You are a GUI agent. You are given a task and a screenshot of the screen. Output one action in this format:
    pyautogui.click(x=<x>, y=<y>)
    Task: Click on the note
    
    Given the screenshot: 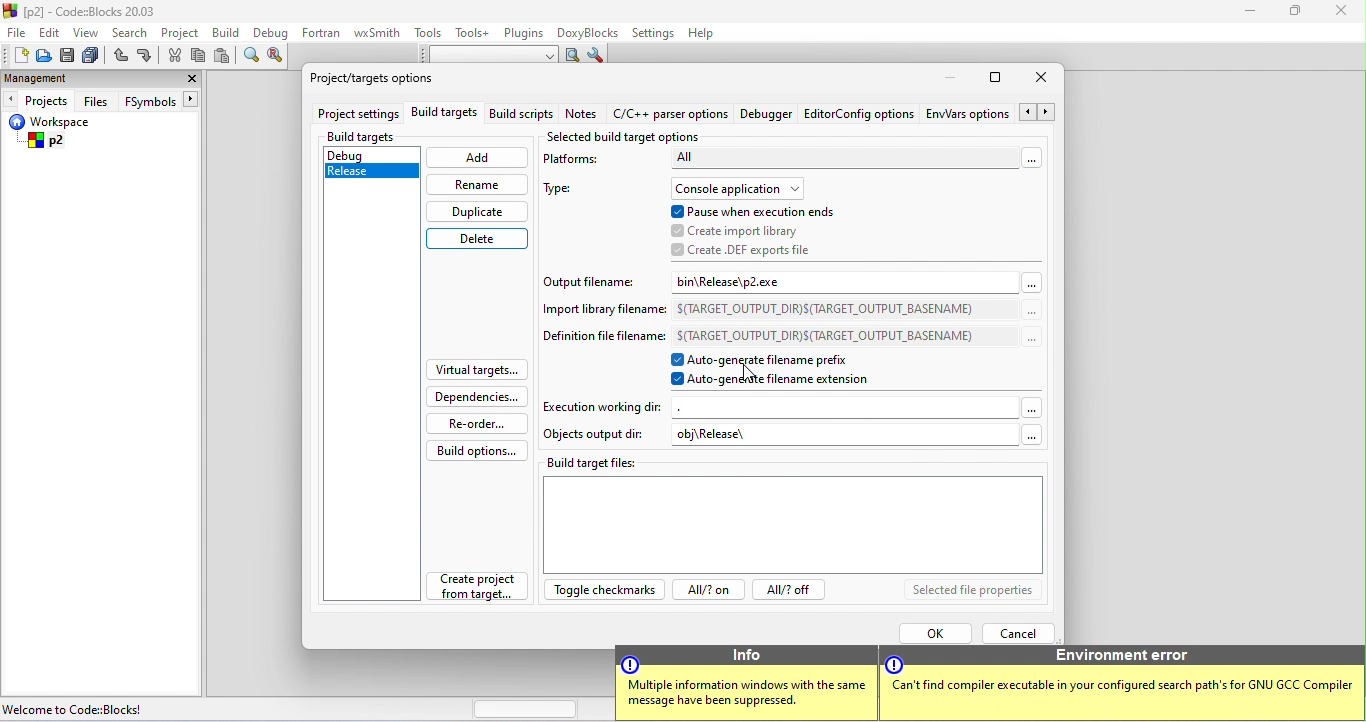 What is the action you would take?
    pyautogui.click(x=583, y=116)
    